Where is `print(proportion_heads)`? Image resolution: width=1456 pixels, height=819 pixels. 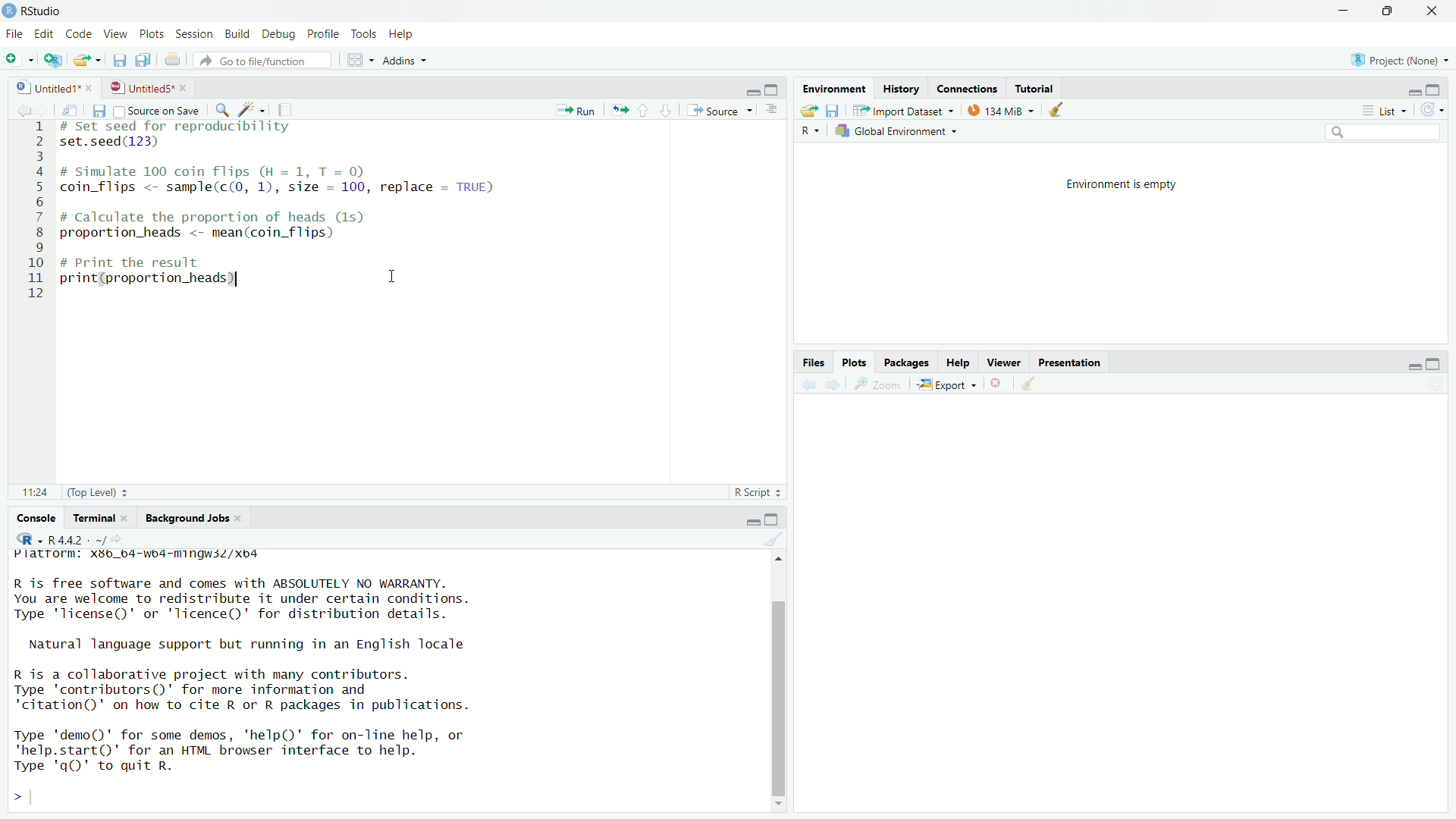
print(proportion_heads) is located at coordinates (157, 279).